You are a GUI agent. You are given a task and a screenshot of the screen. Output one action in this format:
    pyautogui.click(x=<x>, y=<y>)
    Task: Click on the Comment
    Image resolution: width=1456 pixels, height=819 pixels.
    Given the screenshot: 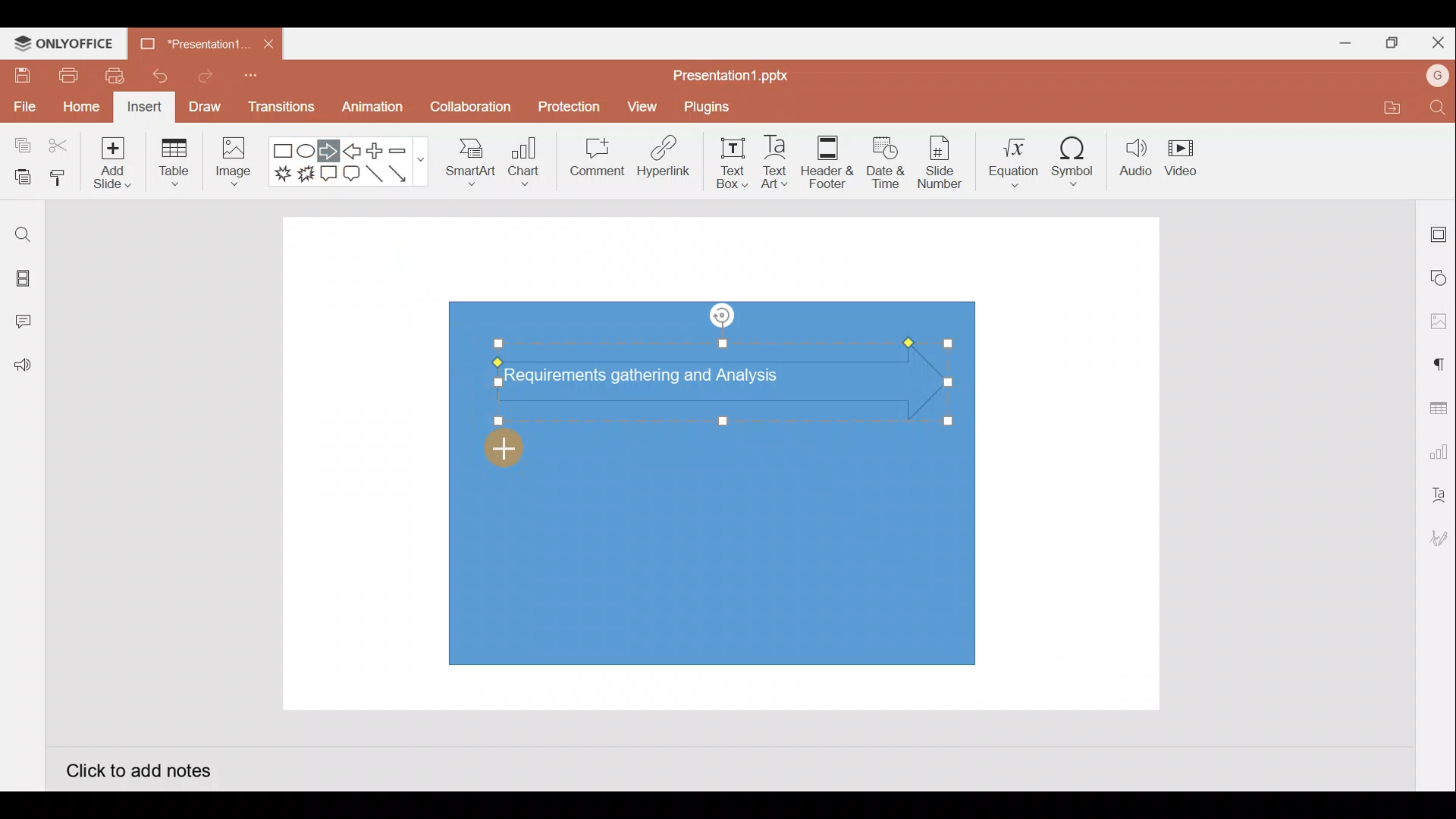 What is the action you would take?
    pyautogui.click(x=591, y=160)
    